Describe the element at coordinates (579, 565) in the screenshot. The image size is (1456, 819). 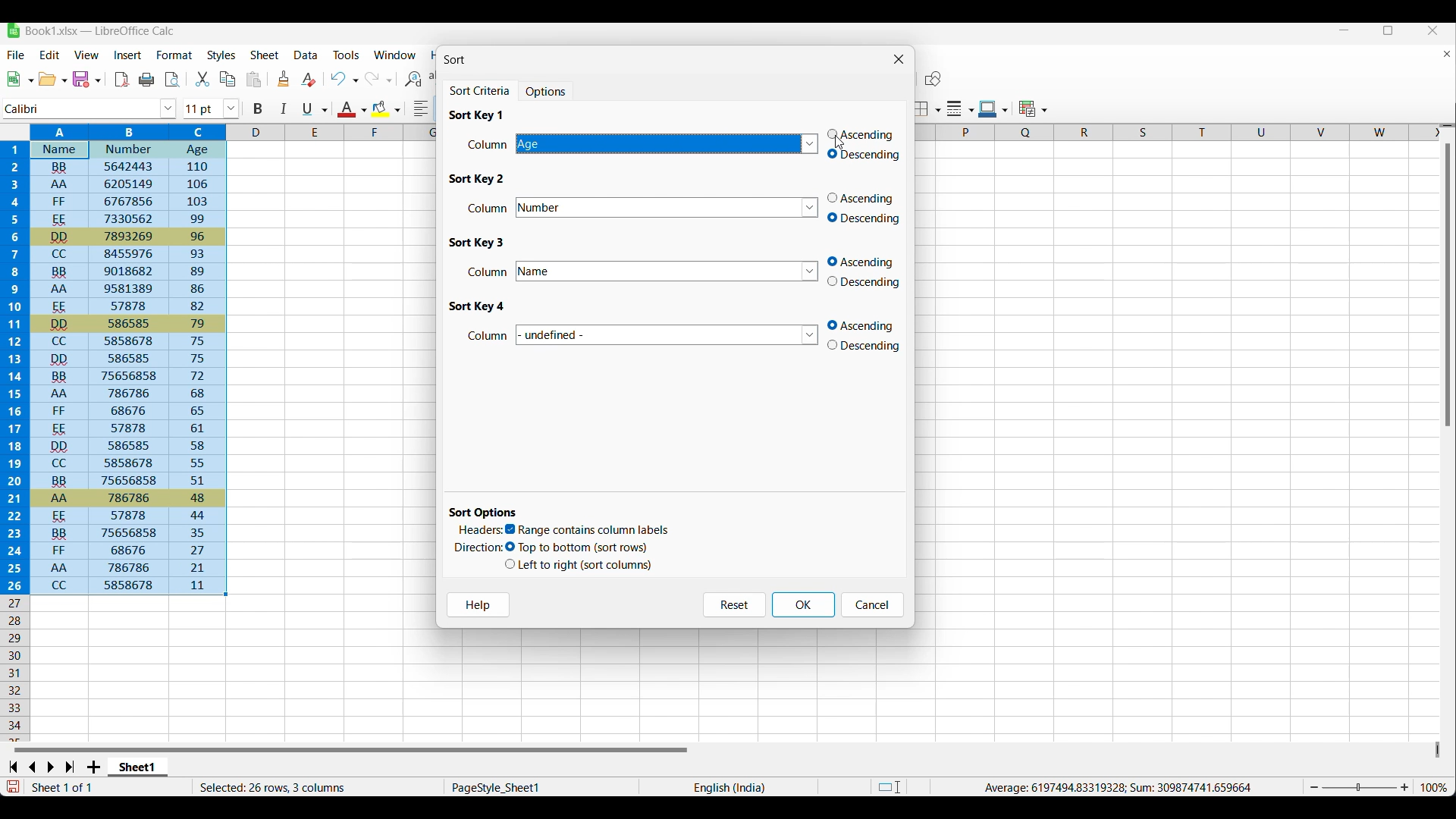
I see `Toggle off for Left to right sort for columns` at that location.